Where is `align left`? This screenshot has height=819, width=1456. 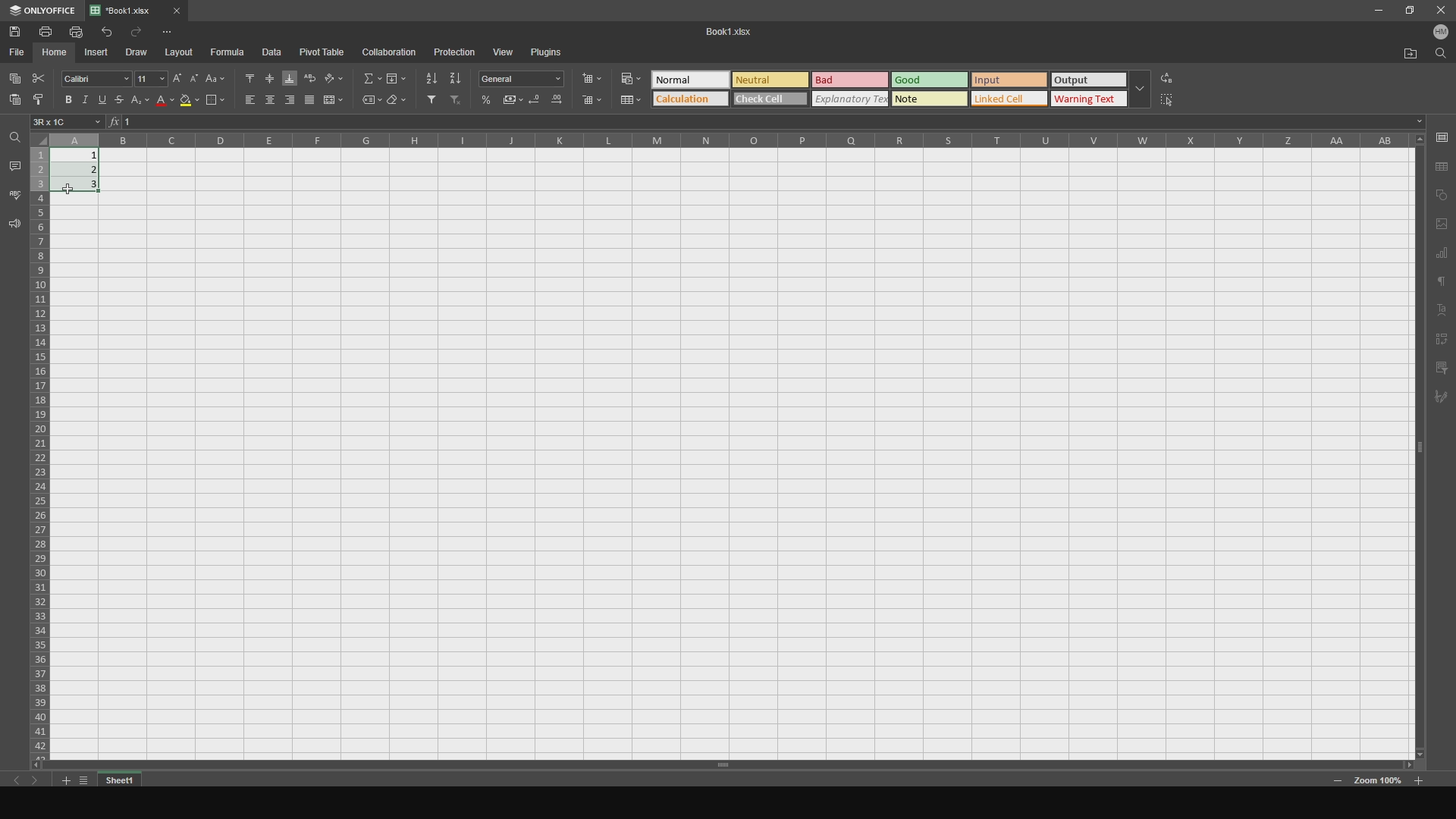
align left is located at coordinates (244, 101).